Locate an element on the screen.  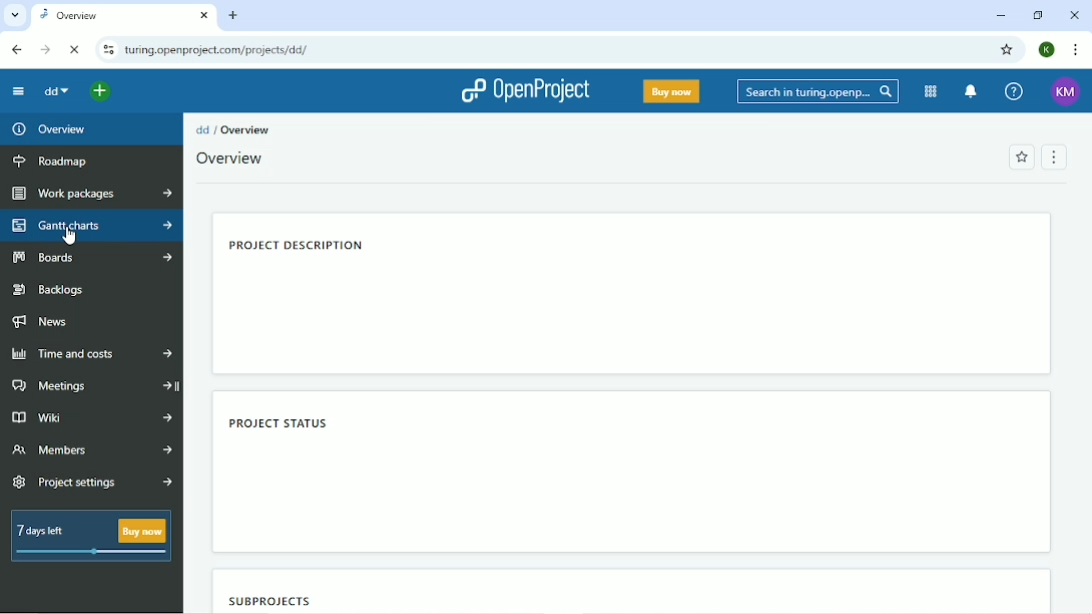
Menu is located at coordinates (1055, 157).